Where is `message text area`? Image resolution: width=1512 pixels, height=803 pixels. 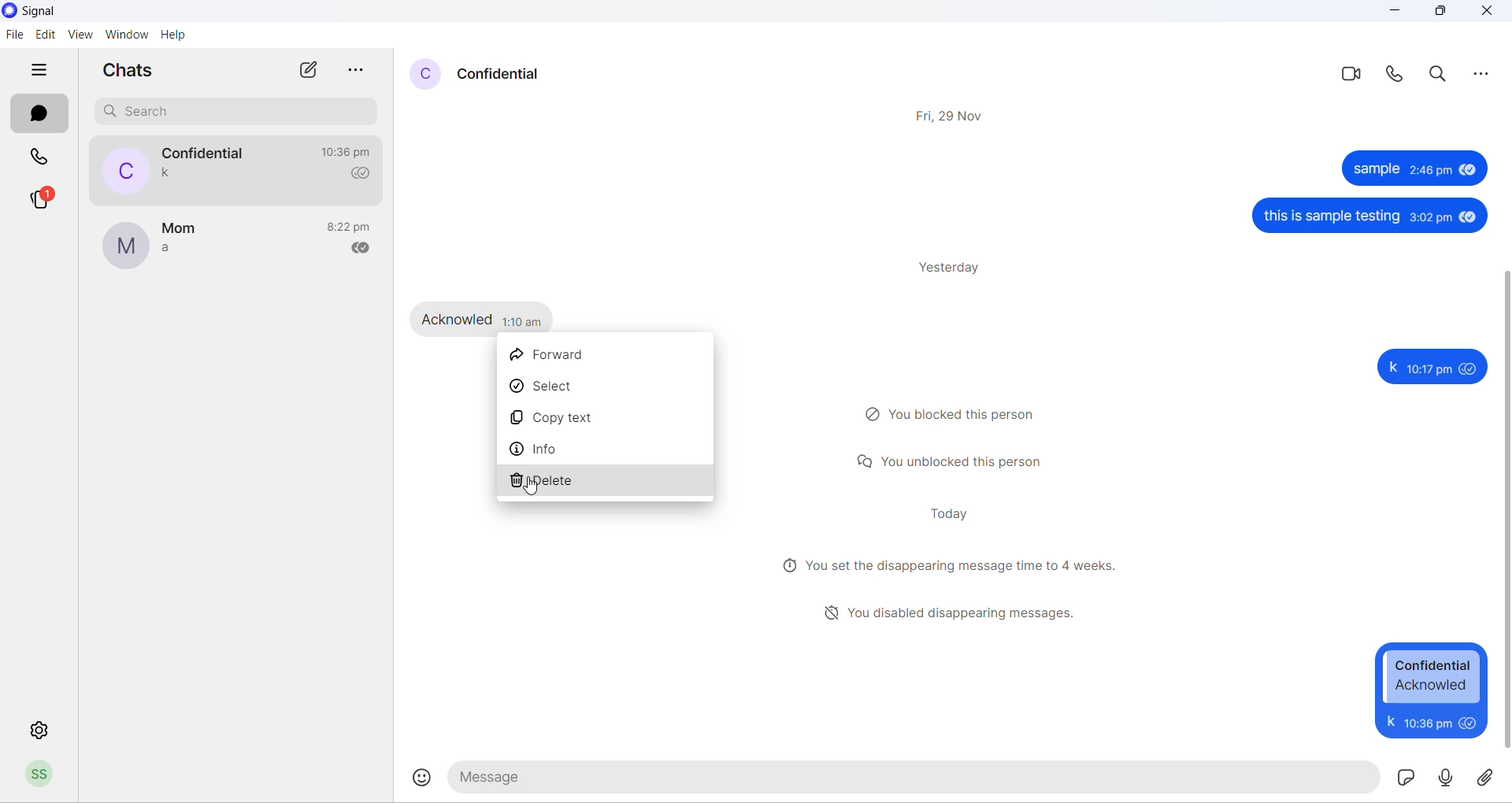 message text area is located at coordinates (914, 777).